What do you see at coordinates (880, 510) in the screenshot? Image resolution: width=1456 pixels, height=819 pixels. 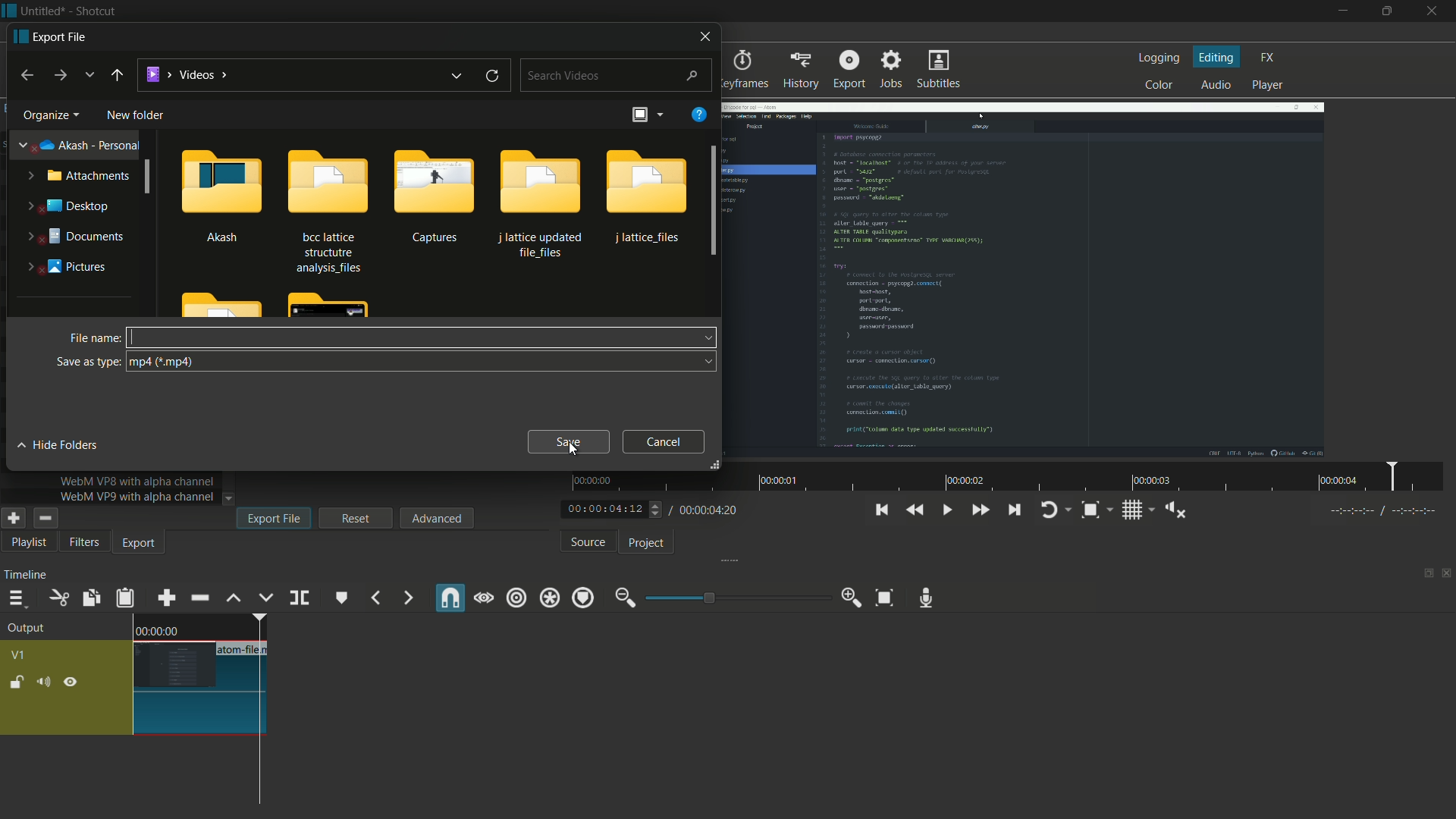 I see `skip to the previous point` at bounding box center [880, 510].